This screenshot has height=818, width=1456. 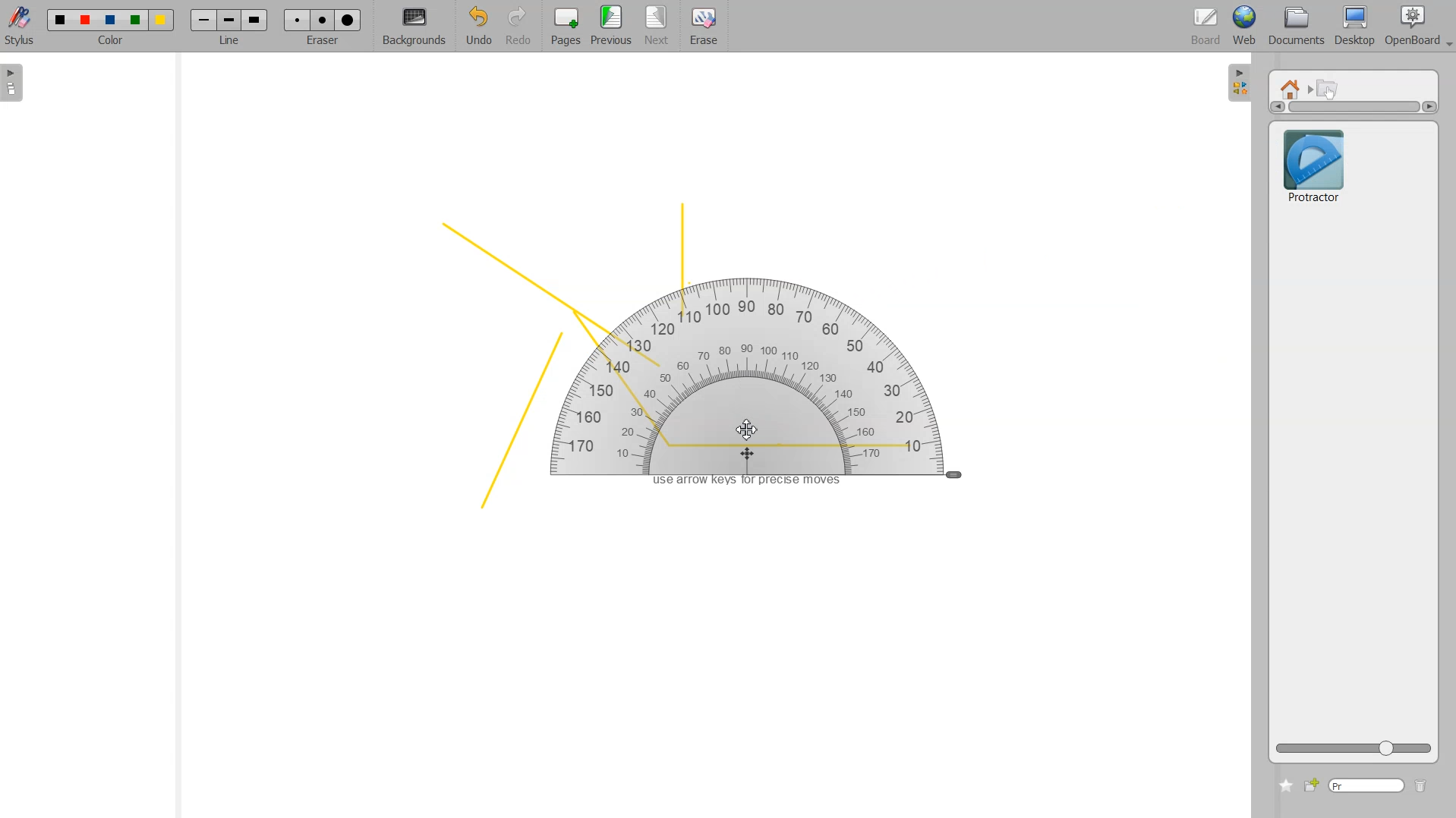 I want to click on Previous, so click(x=613, y=27).